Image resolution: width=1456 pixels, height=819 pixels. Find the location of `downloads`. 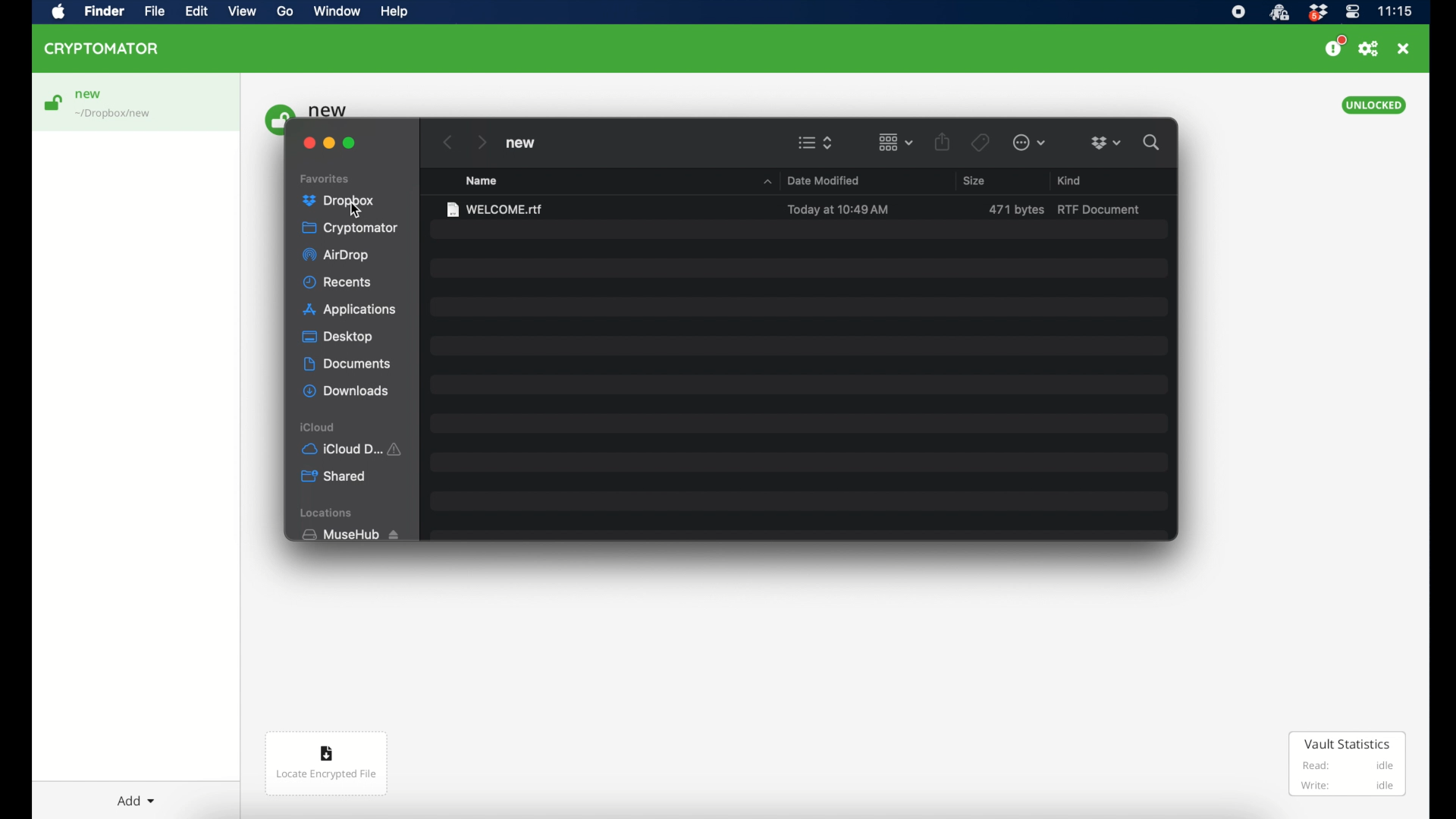

downloads is located at coordinates (346, 391).